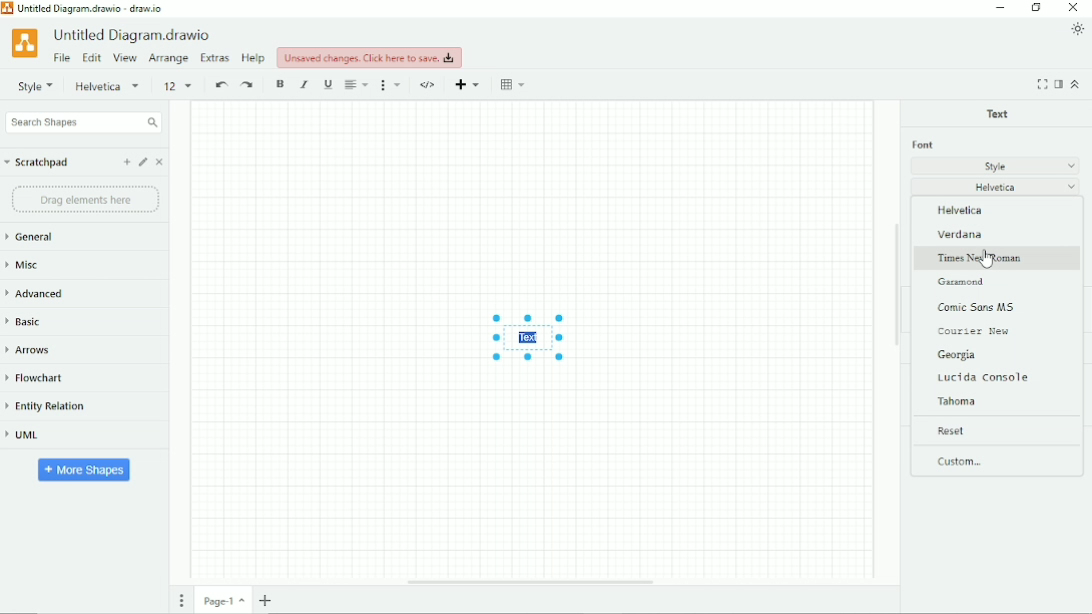 The image size is (1092, 614). Describe the element at coordinates (216, 59) in the screenshot. I see `Extras` at that location.